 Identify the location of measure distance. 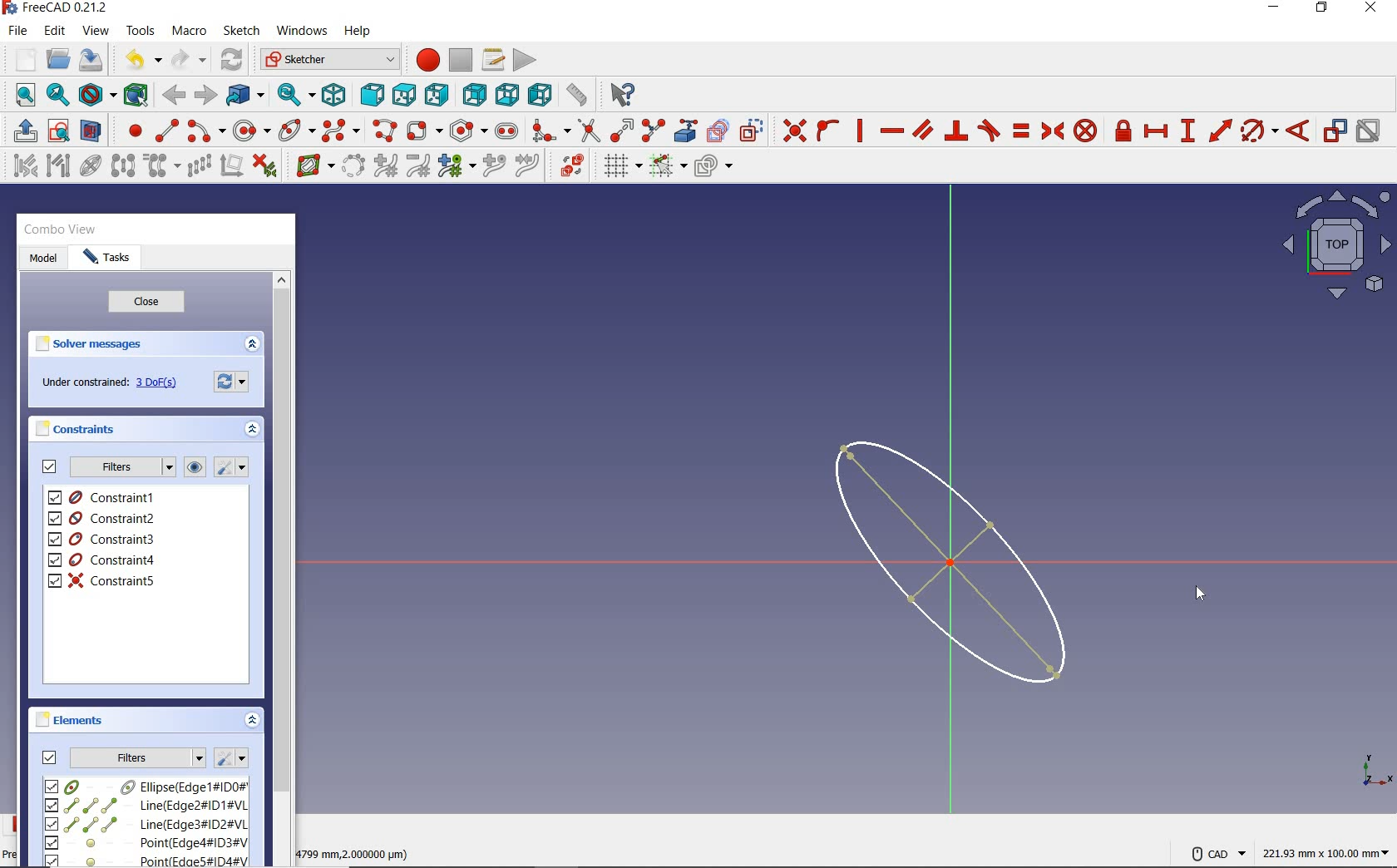
(578, 92).